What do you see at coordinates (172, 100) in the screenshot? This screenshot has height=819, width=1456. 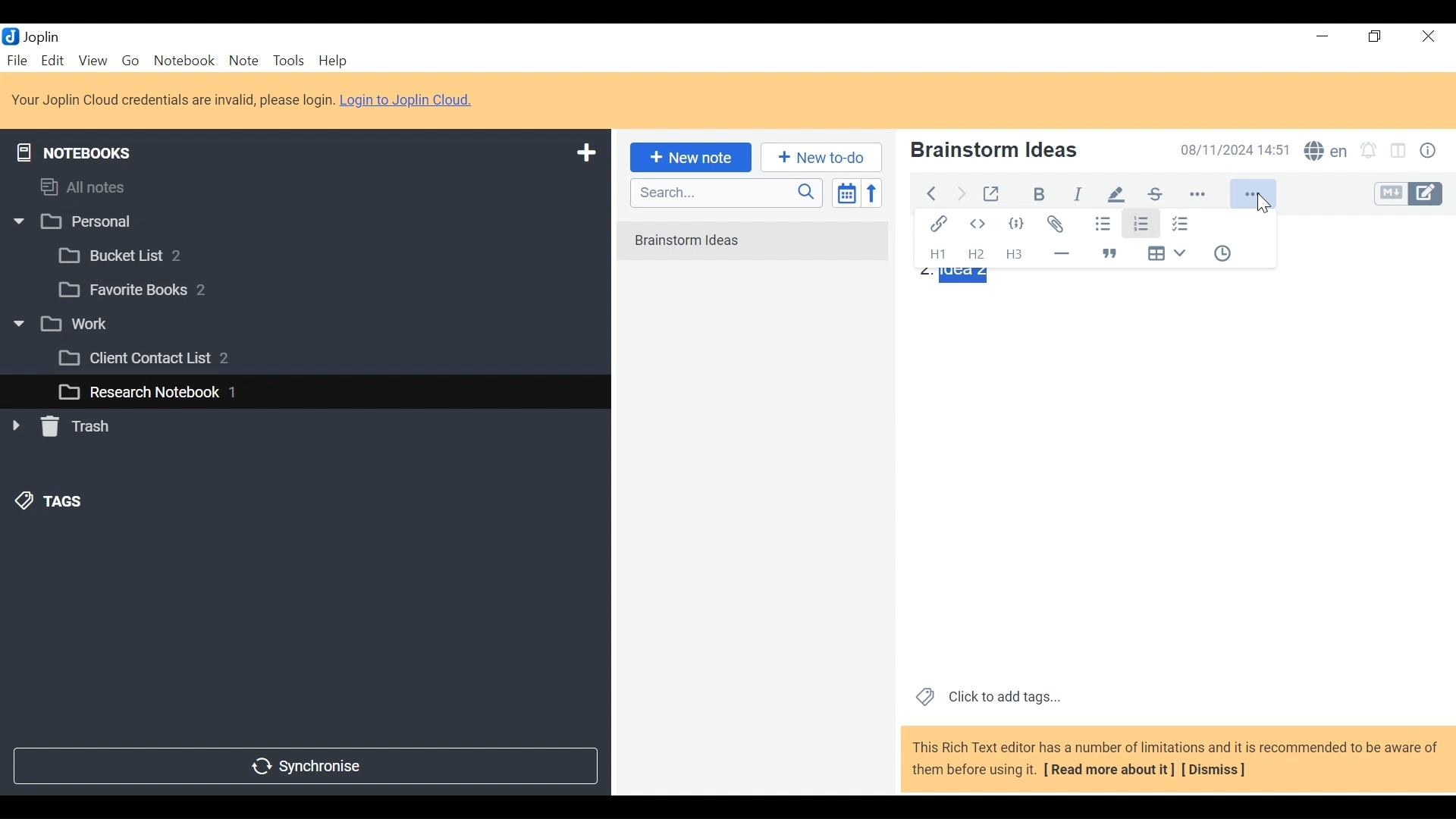 I see `Login to Joplin Cloud` at bounding box center [172, 100].